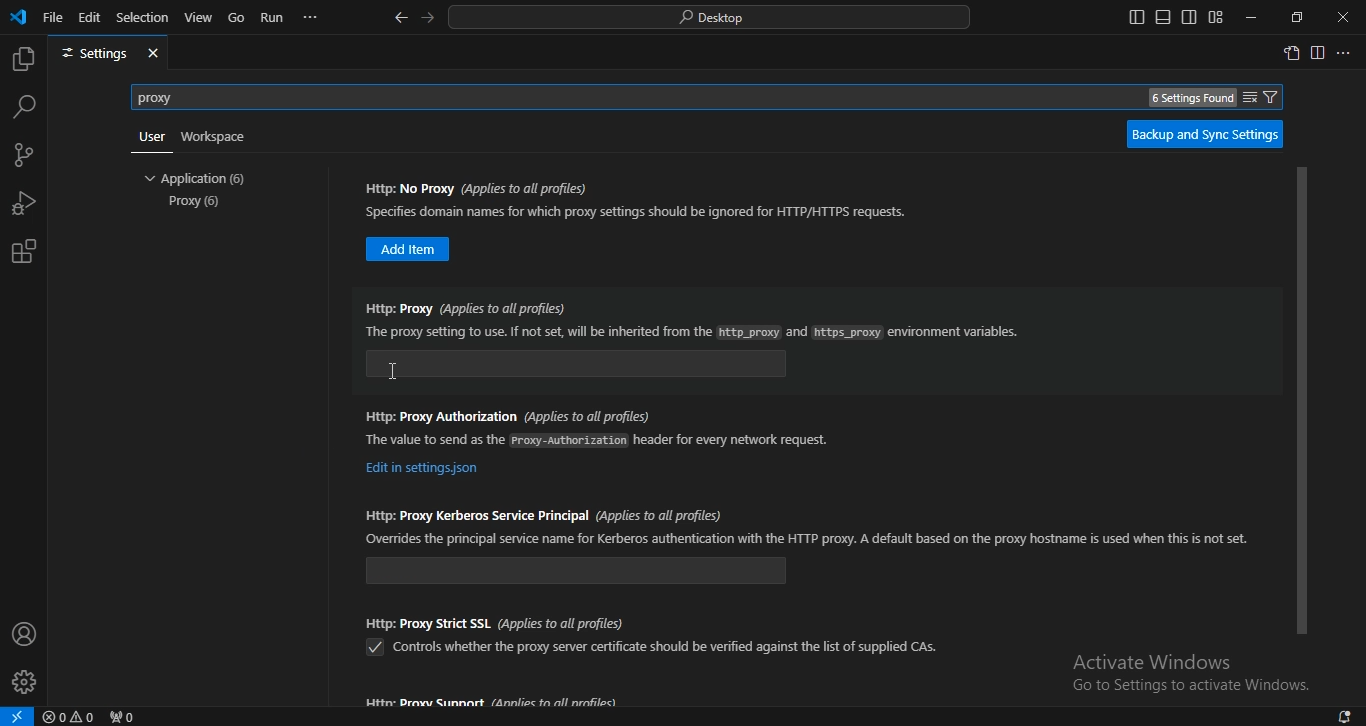 The width and height of the screenshot is (1366, 726). What do you see at coordinates (1337, 714) in the screenshot?
I see `1 new notification` at bounding box center [1337, 714].